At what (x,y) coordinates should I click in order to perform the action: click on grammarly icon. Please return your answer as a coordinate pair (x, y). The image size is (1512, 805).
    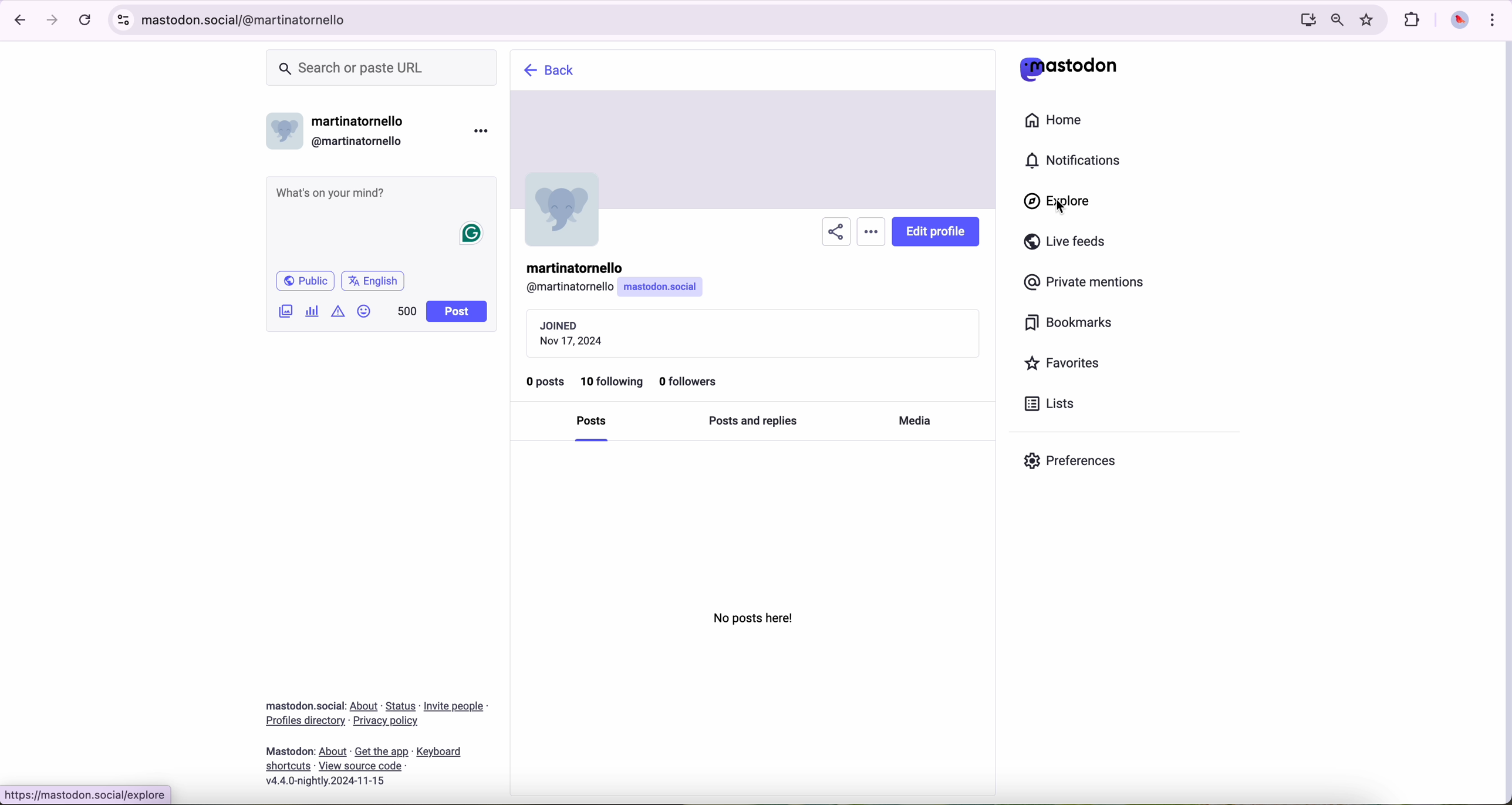
    Looking at the image, I should click on (473, 234).